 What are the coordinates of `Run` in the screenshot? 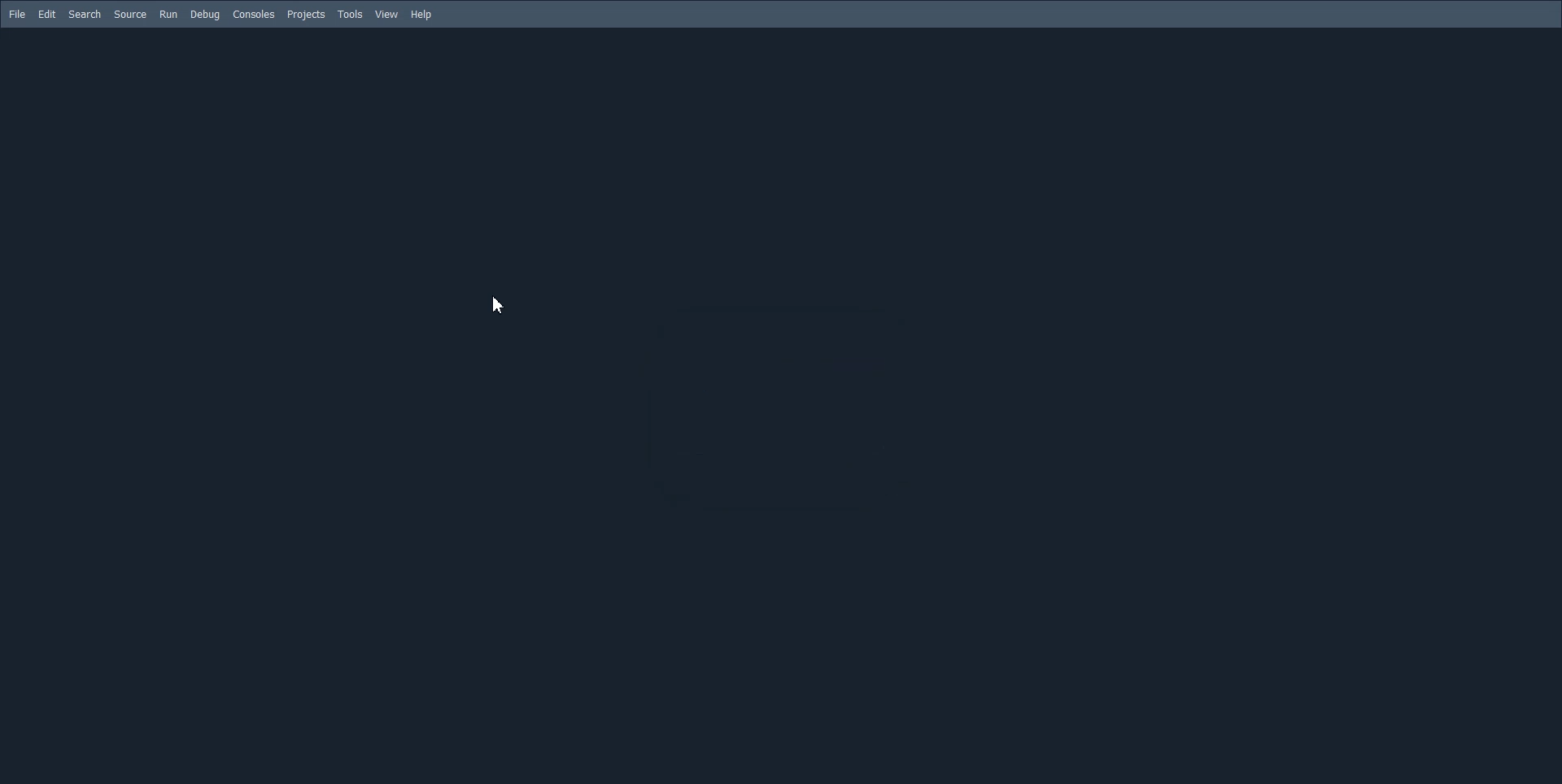 It's located at (168, 15).